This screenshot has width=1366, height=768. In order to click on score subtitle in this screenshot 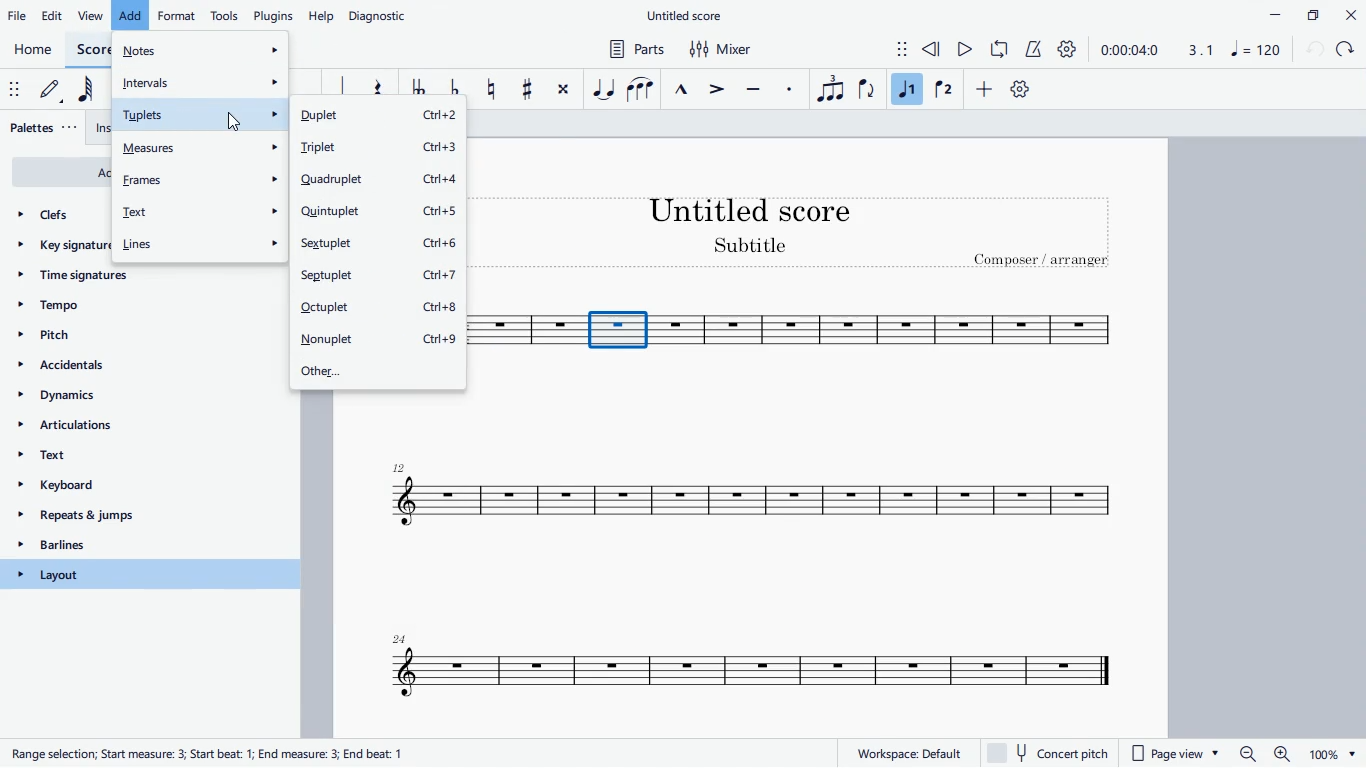, I will do `click(754, 247)`.